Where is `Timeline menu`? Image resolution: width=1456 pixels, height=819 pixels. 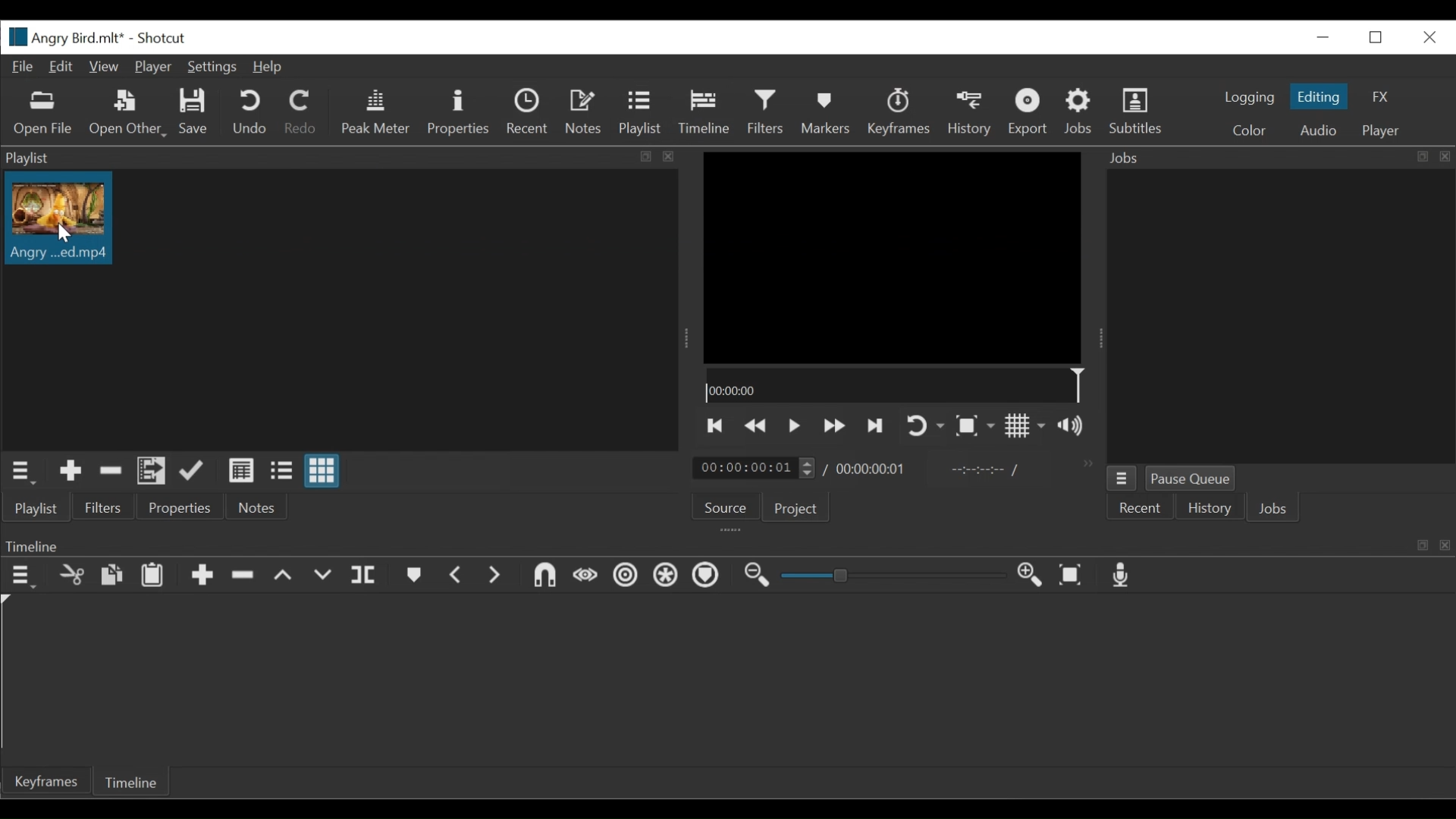
Timeline menu is located at coordinates (21, 577).